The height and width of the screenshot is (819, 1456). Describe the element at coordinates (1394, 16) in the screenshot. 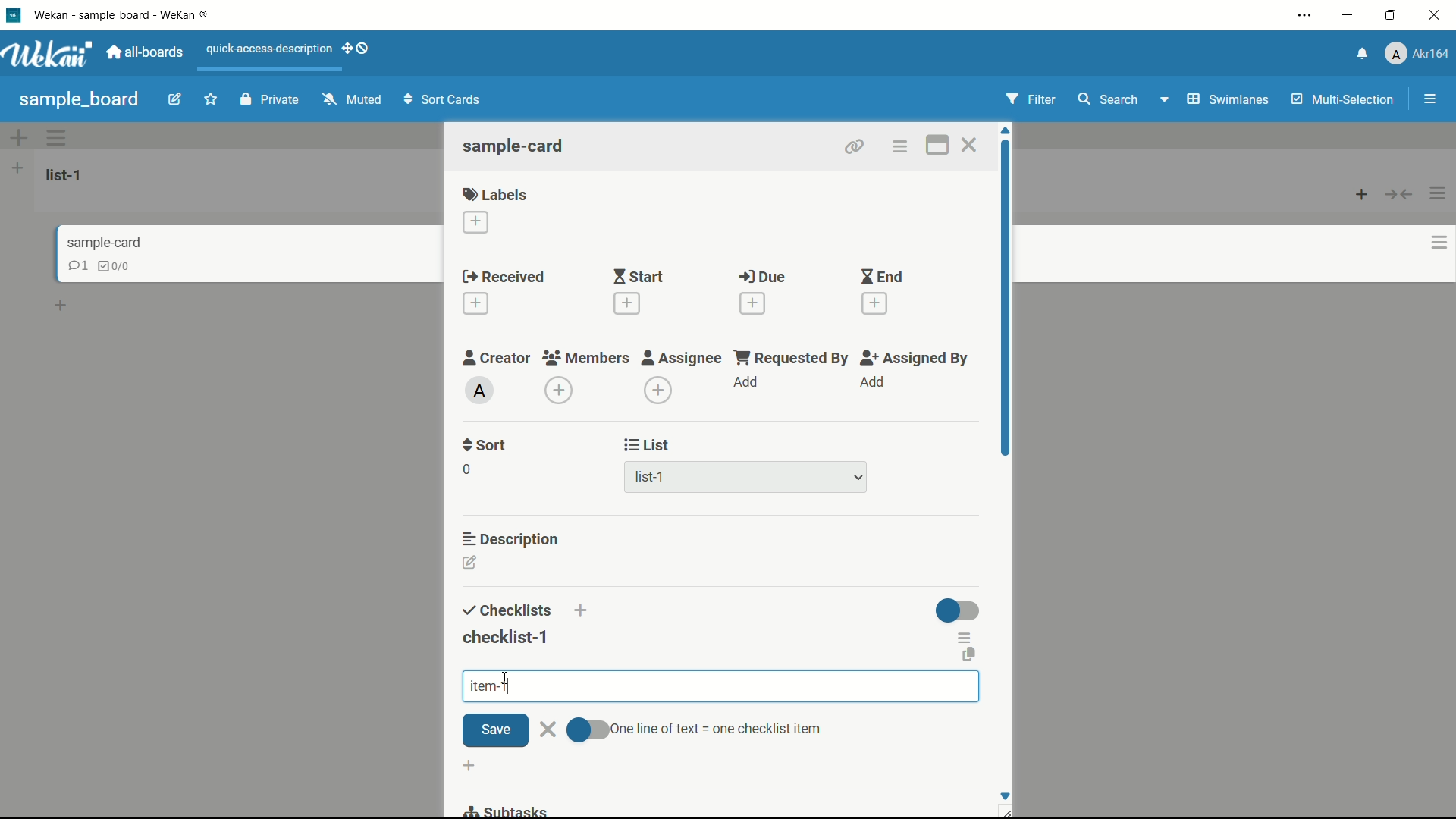

I see `maximize` at that location.